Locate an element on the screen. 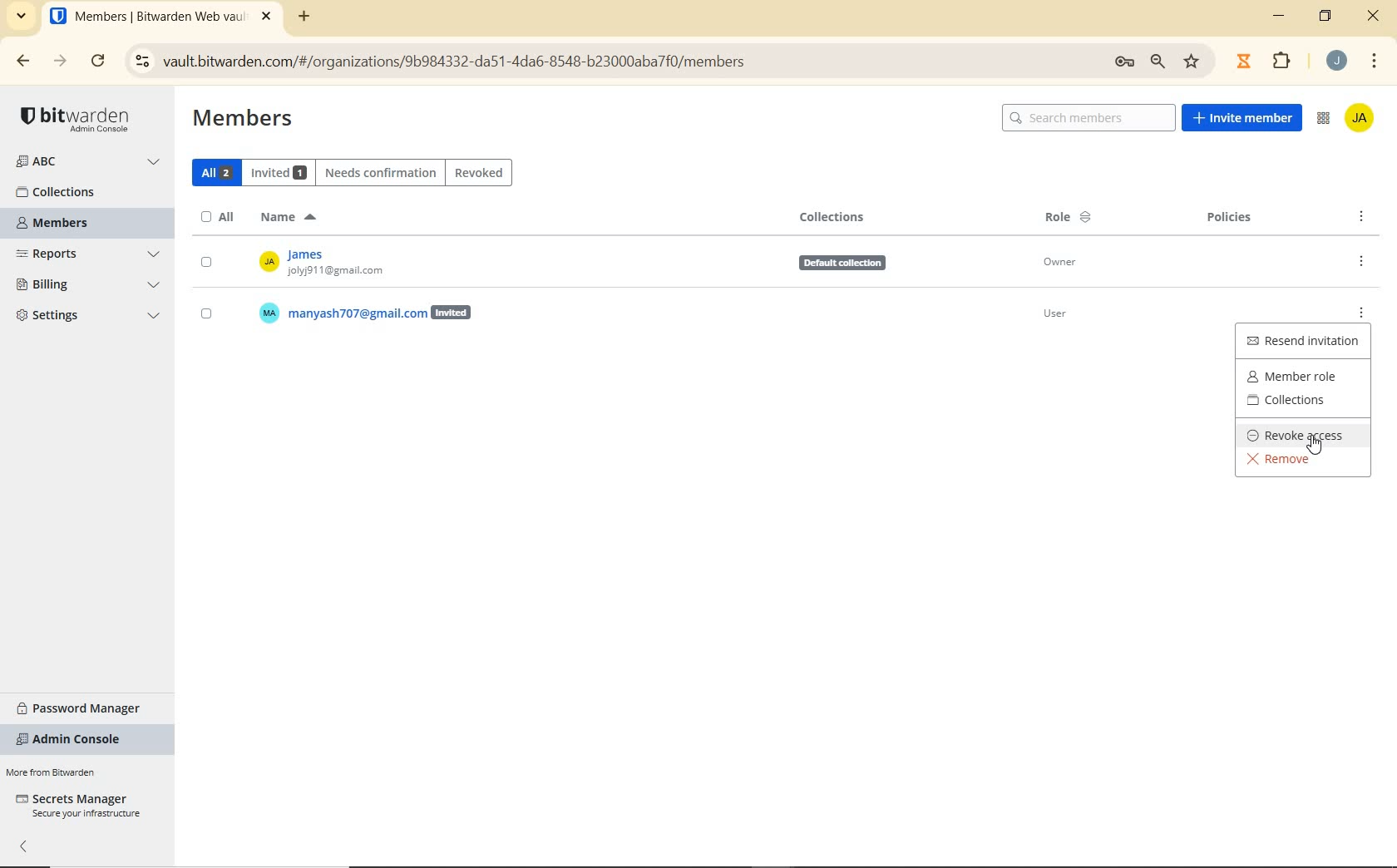  PASSWORD MANAGER is located at coordinates (86, 706).